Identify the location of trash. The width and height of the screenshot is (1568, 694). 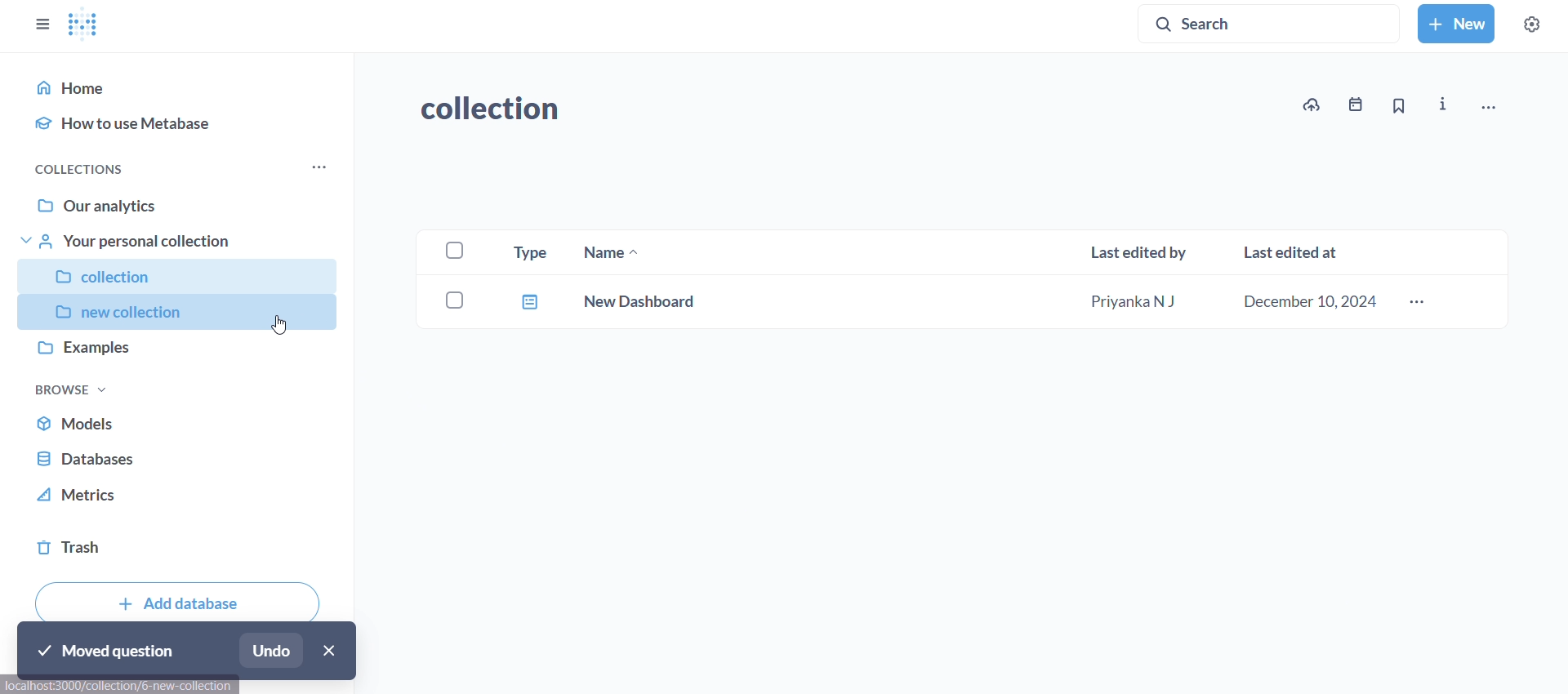
(182, 547).